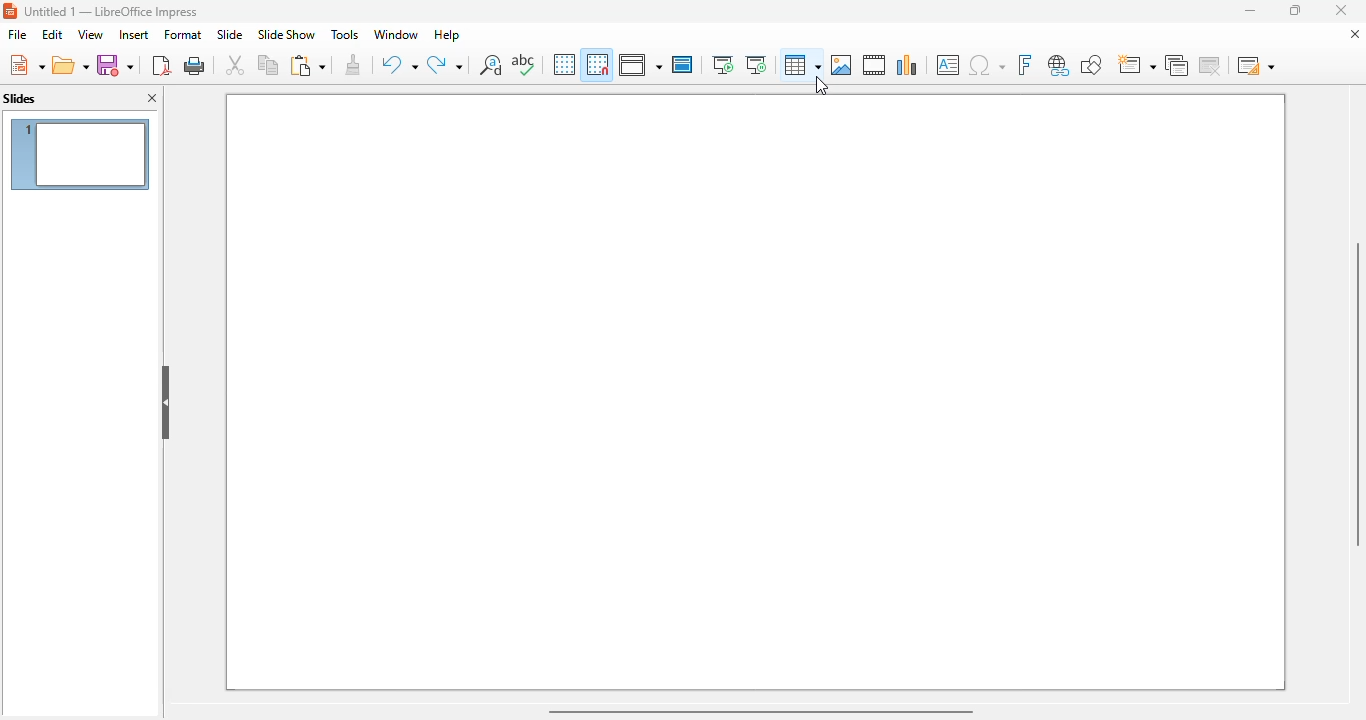 This screenshot has width=1366, height=720. What do you see at coordinates (842, 65) in the screenshot?
I see `insert image` at bounding box center [842, 65].